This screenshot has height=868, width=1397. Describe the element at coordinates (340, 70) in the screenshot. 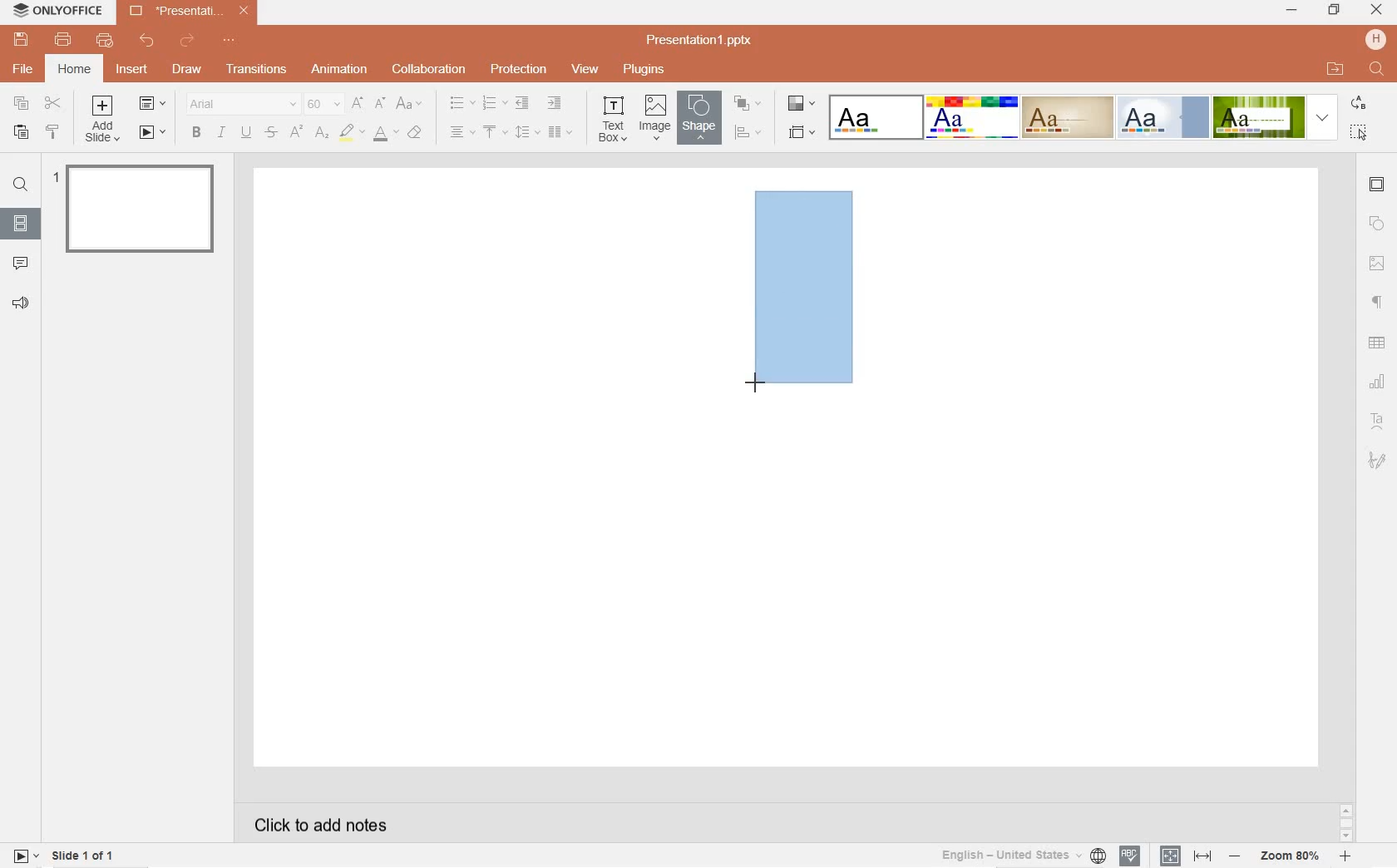

I see `animation` at that location.